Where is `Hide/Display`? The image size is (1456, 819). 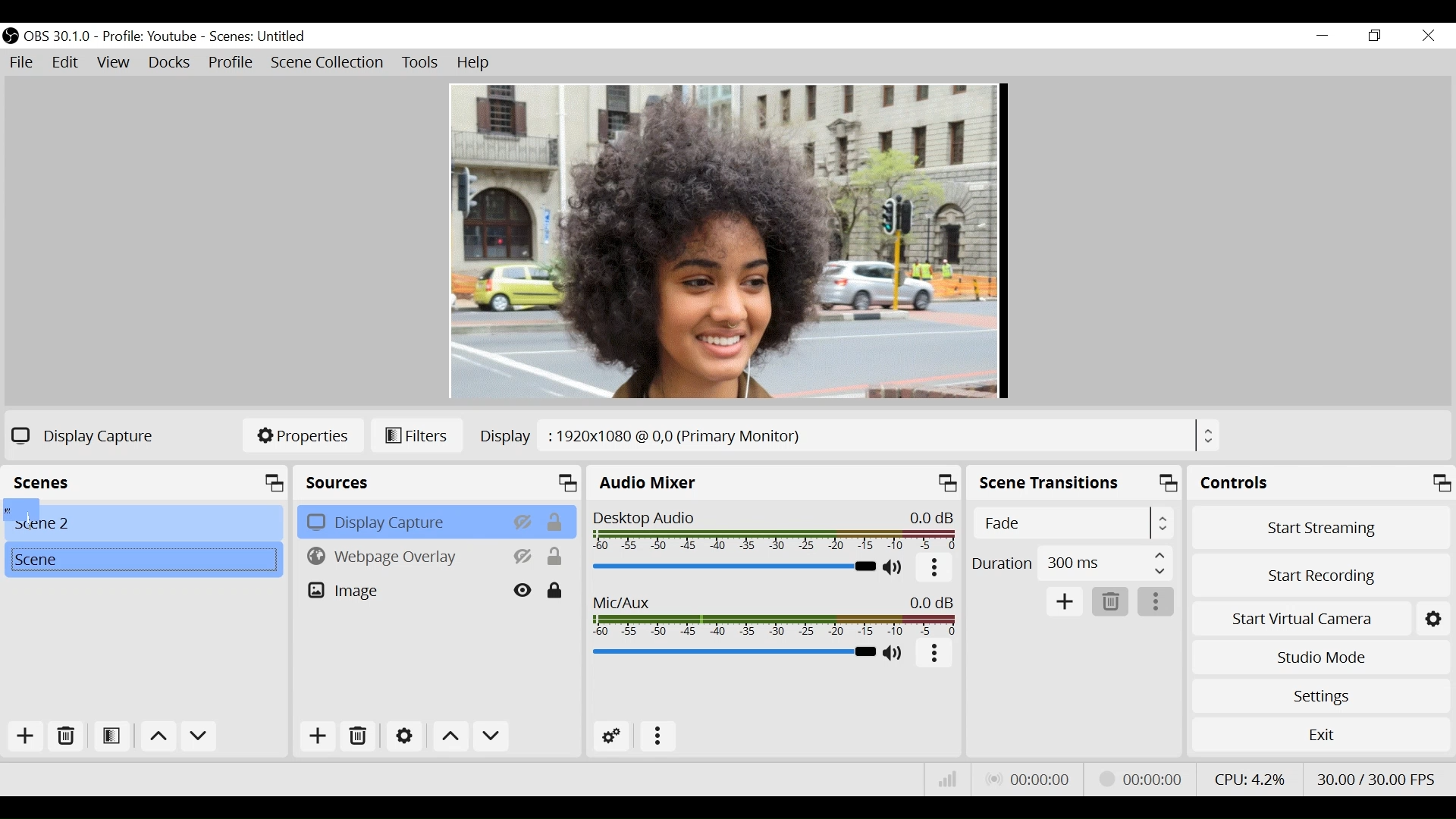 Hide/Display is located at coordinates (524, 590).